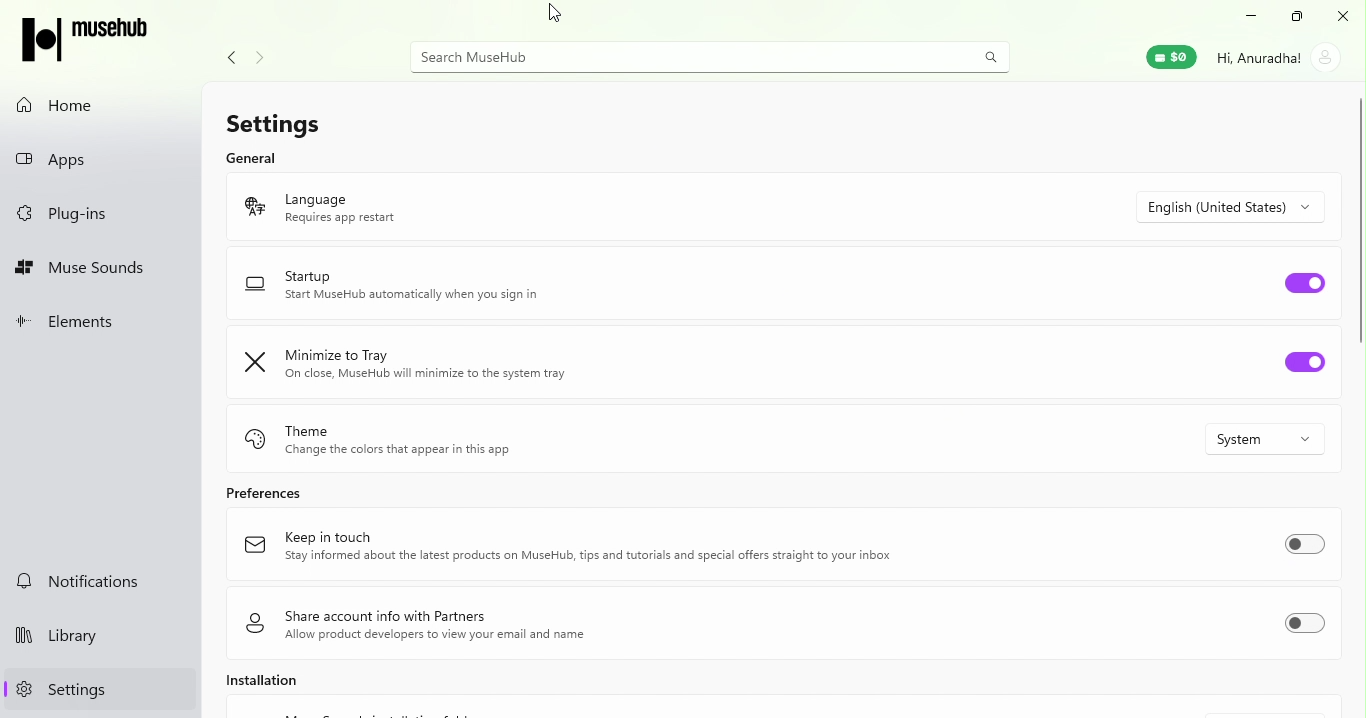 The width and height of the screenshot is (1366, 718). What do you see at coordinates (267, 495) in the screenshot?
I see `Prefernces` at bounding box center [267, 495].